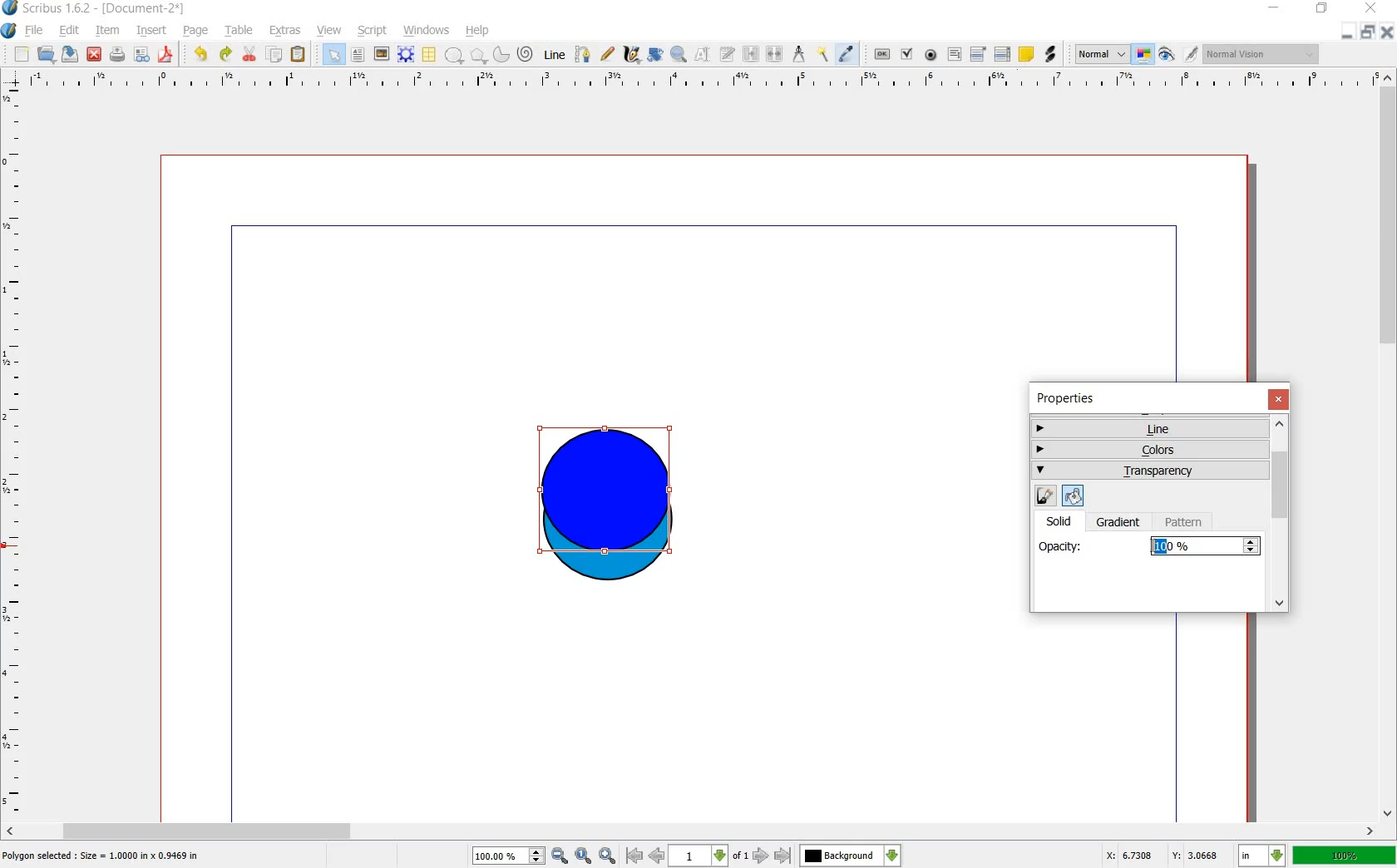 The width and height of the screenshot is (1397, 868). Describe the element at coordinates (977, 54) in the screenshot. I see `pdf combo box` at that location.